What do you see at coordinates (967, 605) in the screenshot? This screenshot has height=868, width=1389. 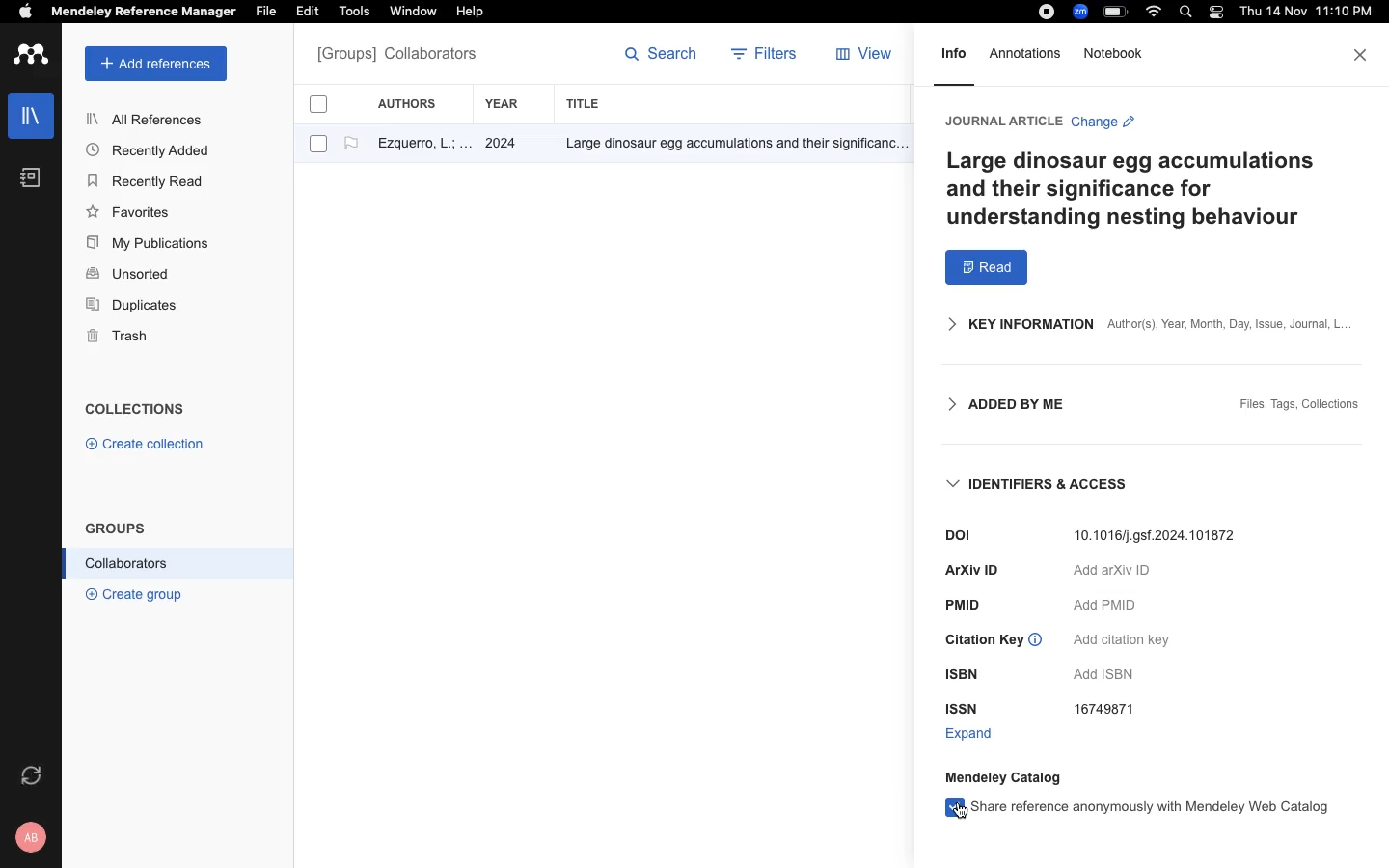 I see `PMID` at bounding box center [967, 605].